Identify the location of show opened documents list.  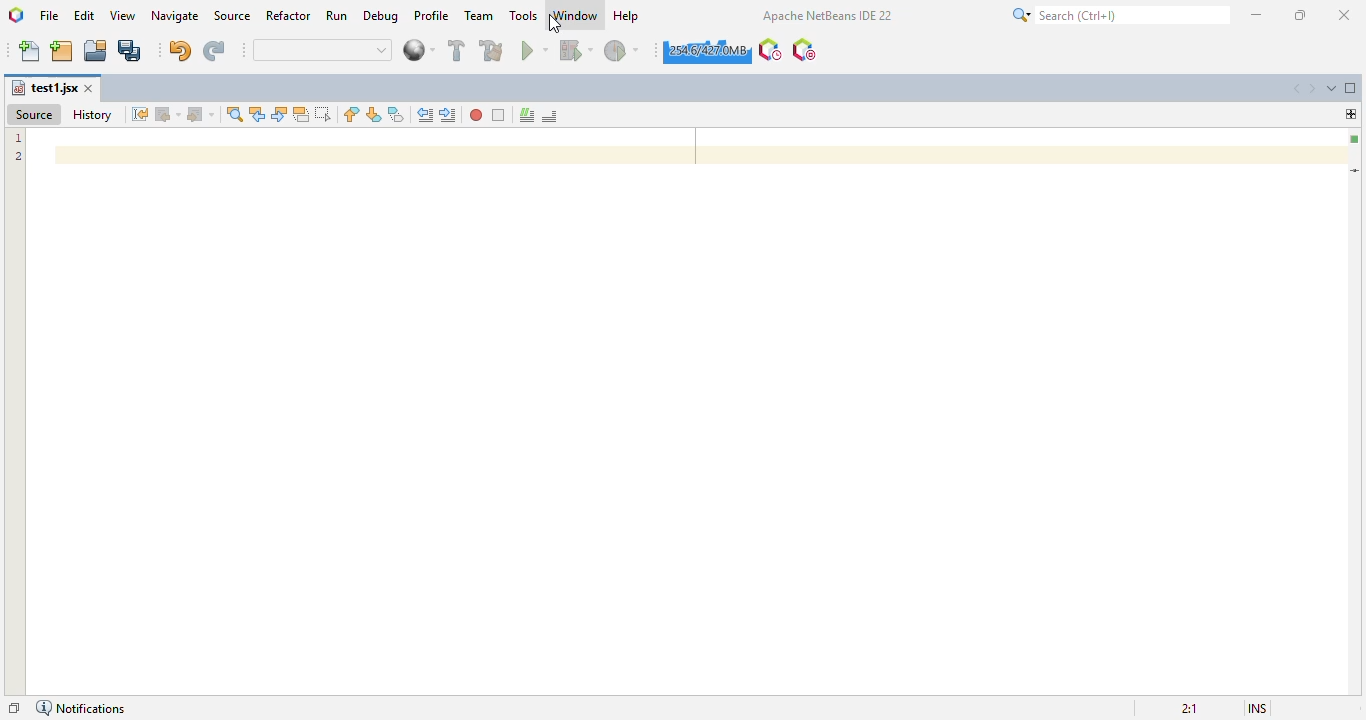
(1332, 87).